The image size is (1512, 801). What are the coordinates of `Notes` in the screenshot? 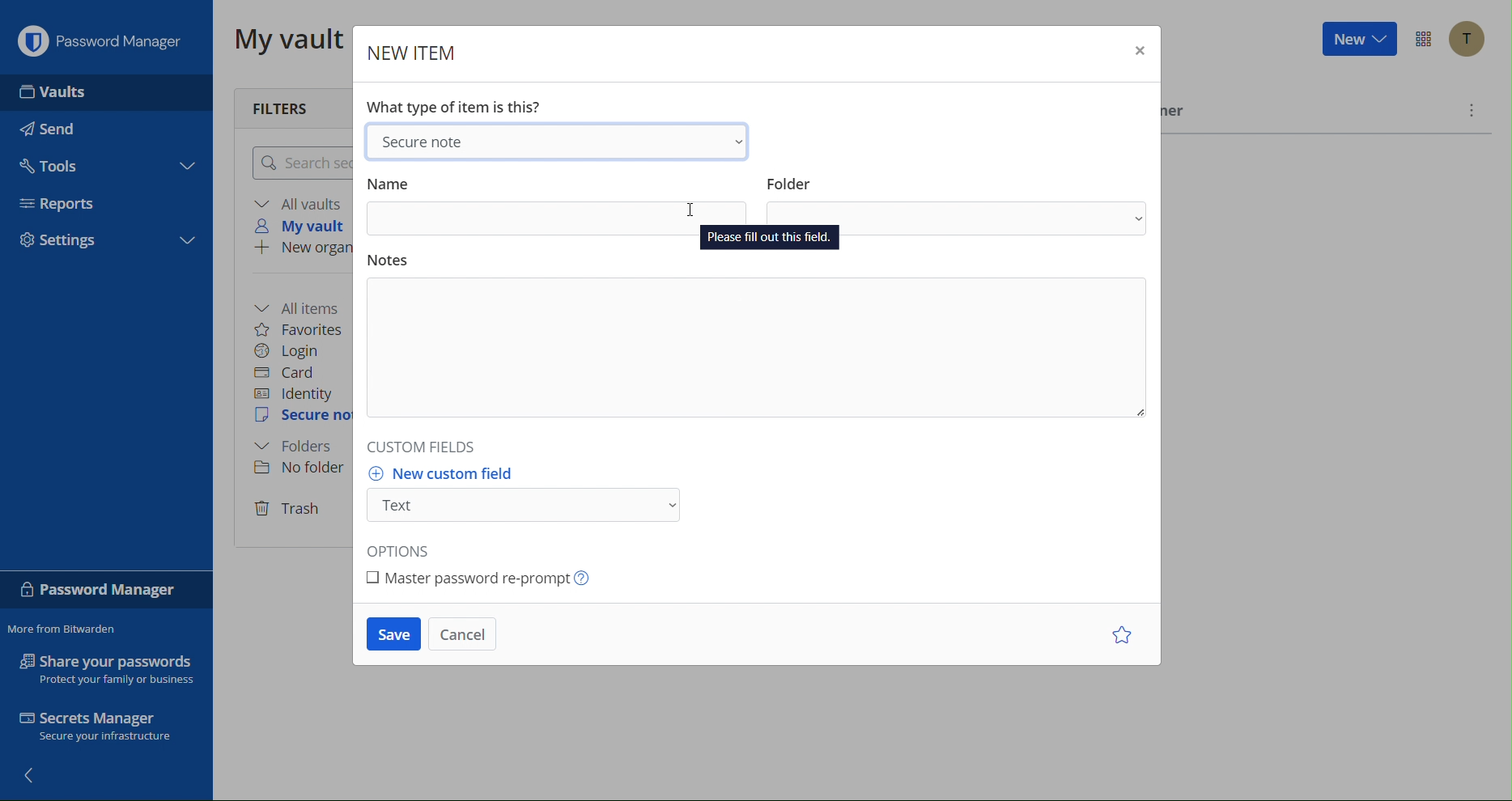 It's located at (755, 343).